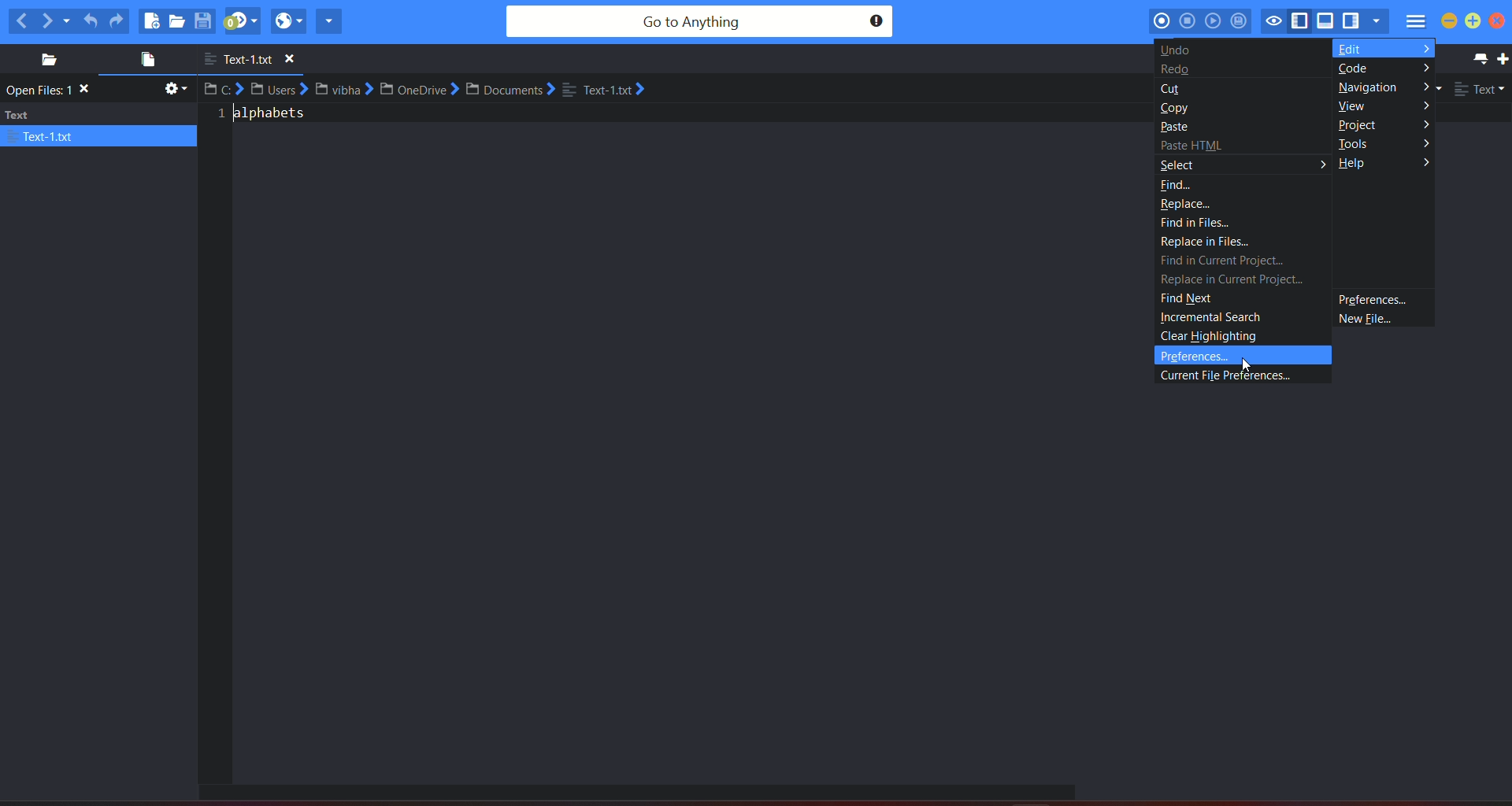 This screenshot has height=806, width=1512. I want to click on open file, so click(179, 22).